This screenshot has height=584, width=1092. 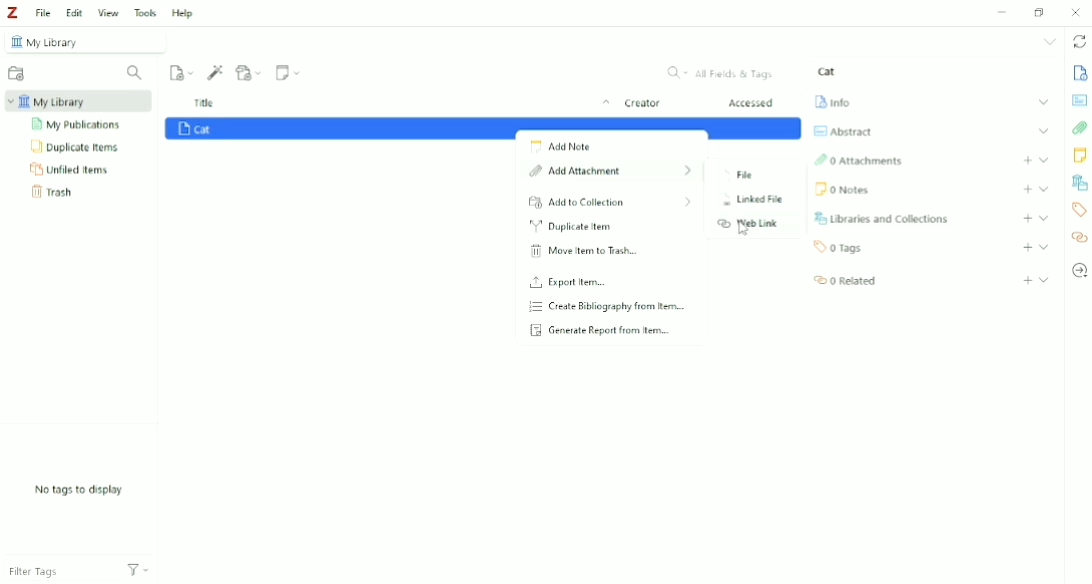 What do you see at coordinates (610, 203) in the screenshot?
I see `Add to Collection` at bounding box center [610, 203].